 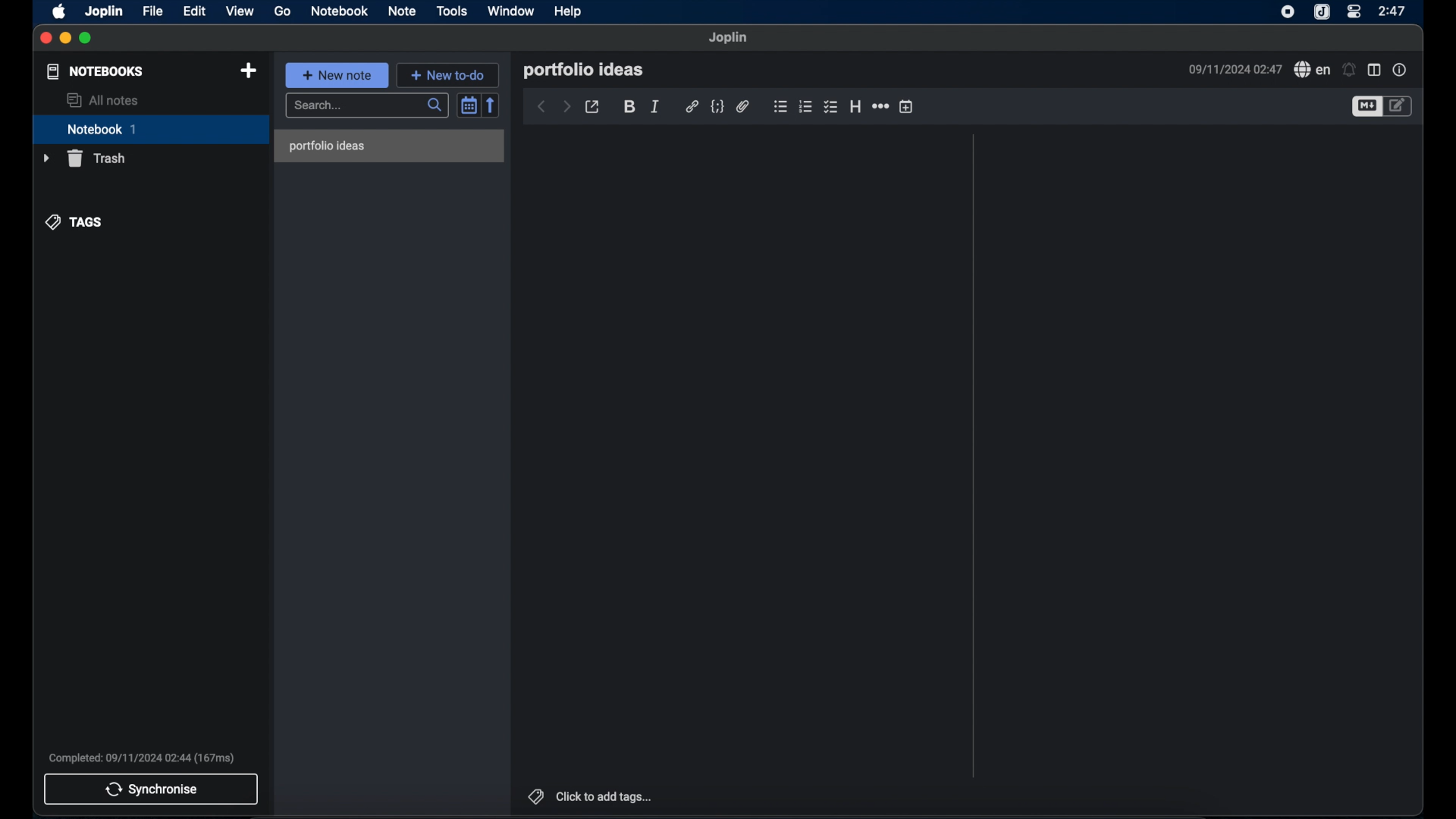 What do you see at coordinates (151, 130) in the screenshot?
I see `notebook` at bounding box center [151, 130].